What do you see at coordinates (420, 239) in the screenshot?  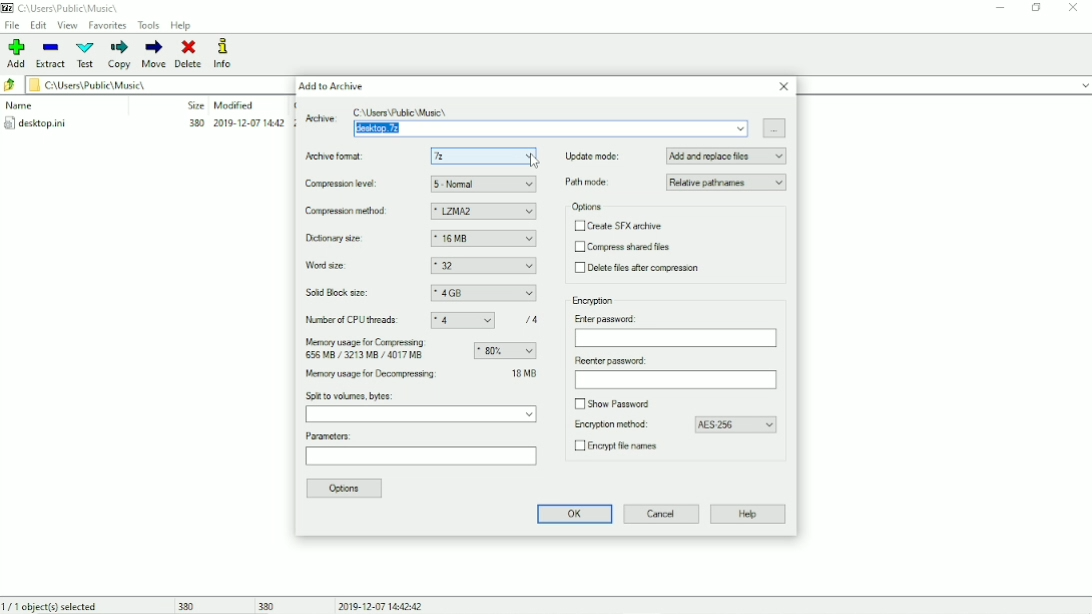 I see `Dictionary size` at bounding box center [420, 239].